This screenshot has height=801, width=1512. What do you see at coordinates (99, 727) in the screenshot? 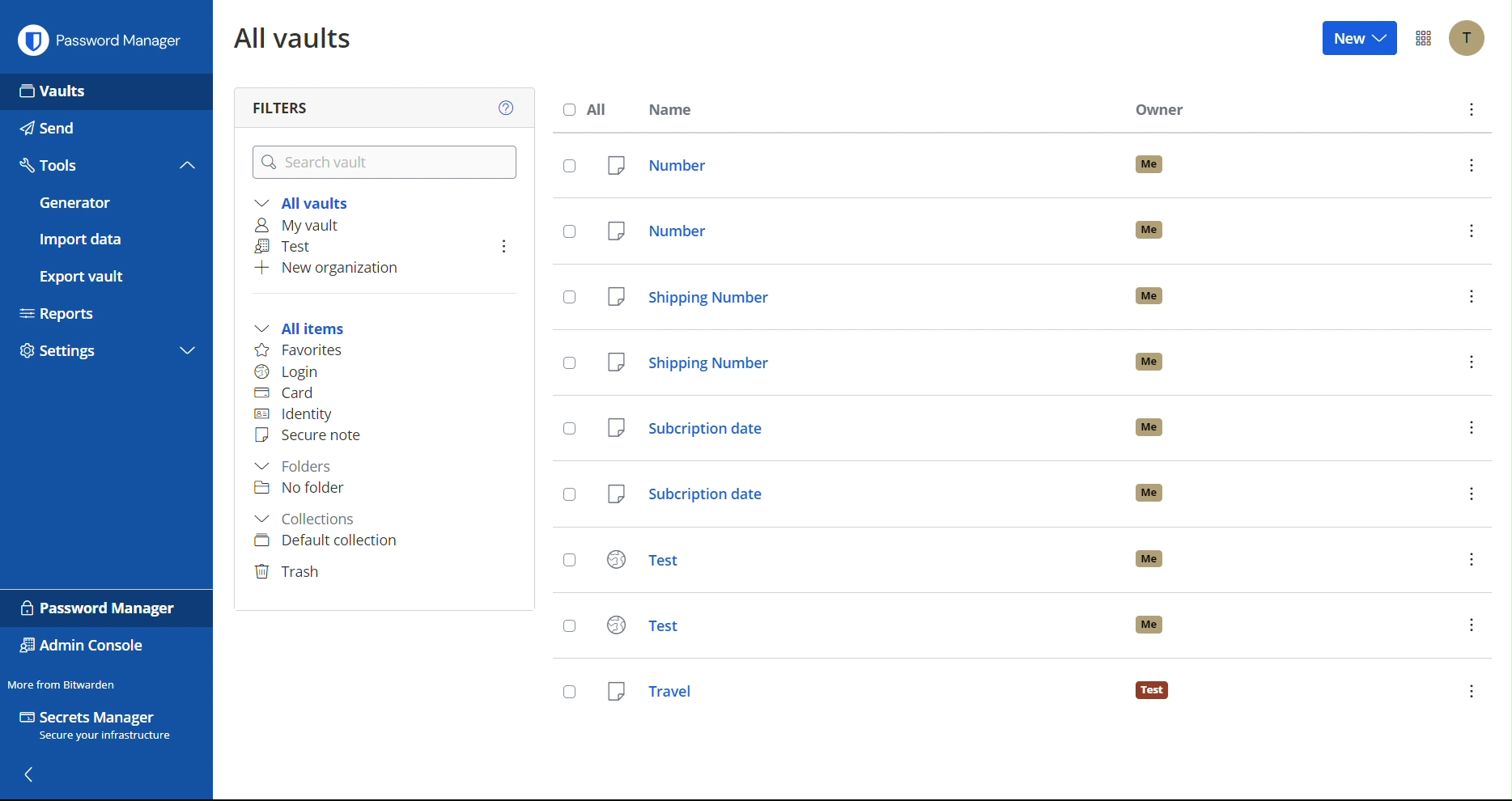
I see `Secrets Manager` at bounding box center [99, 727].